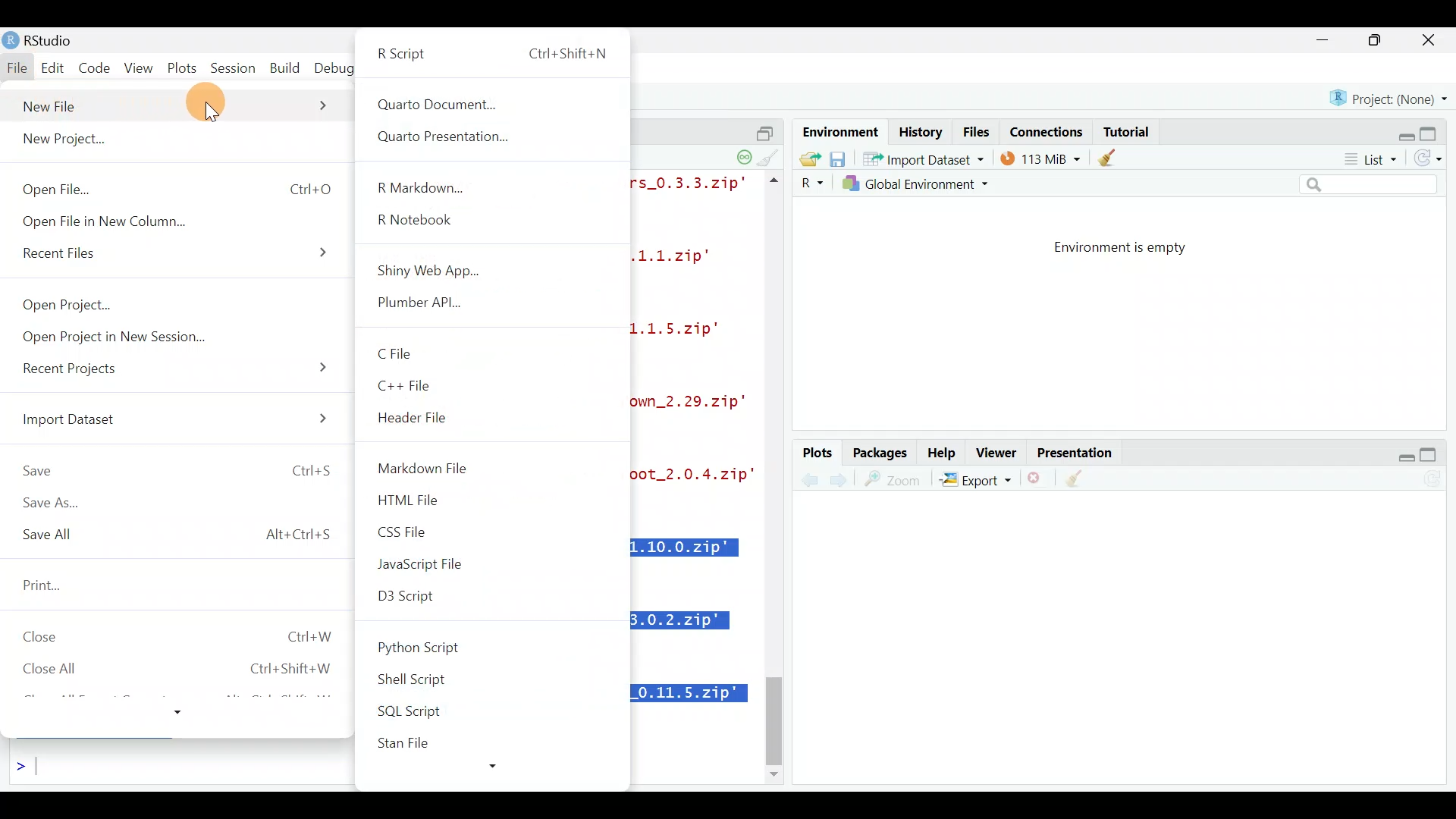 The height and width of the screenshot is (819, 1456). I want to click on minimize, so click(1330, 41).